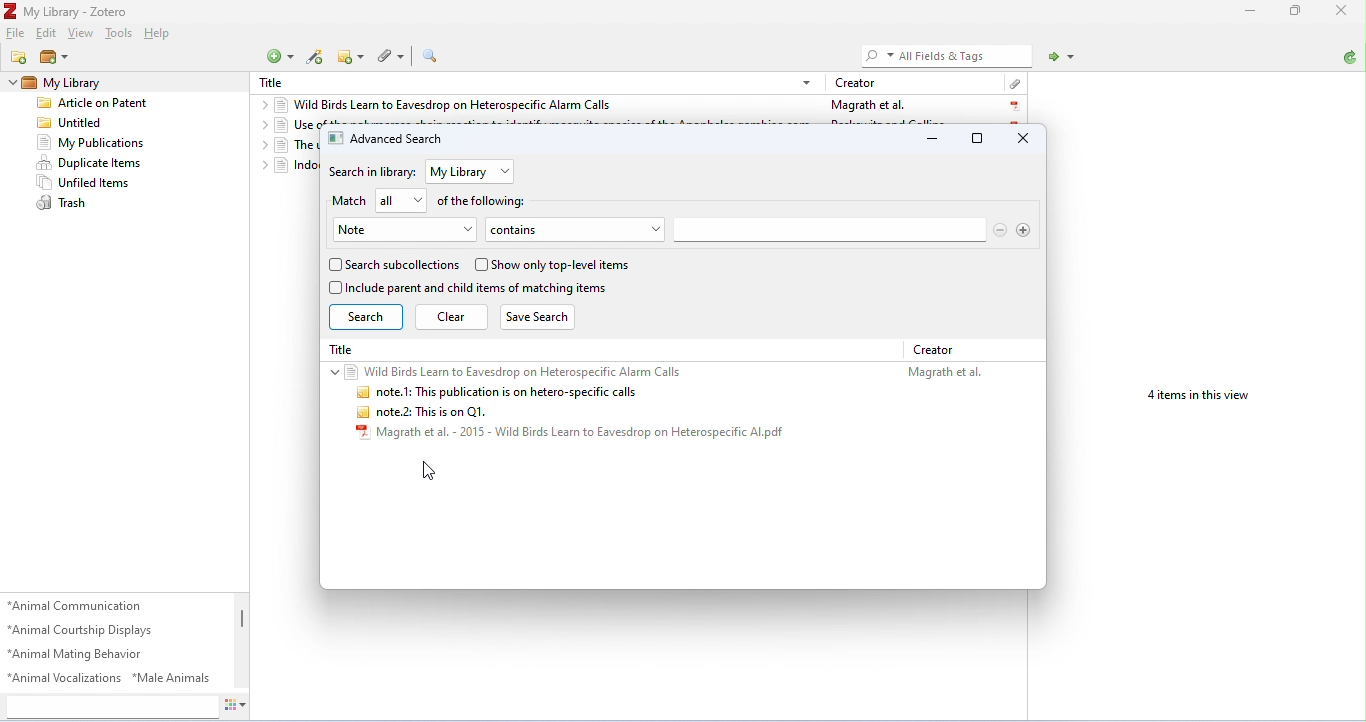 This screenshot has height=722, width=1366. Describe the element at coordinates (83, 631) in the screenshot. I see `animal courtship displays` at that location.